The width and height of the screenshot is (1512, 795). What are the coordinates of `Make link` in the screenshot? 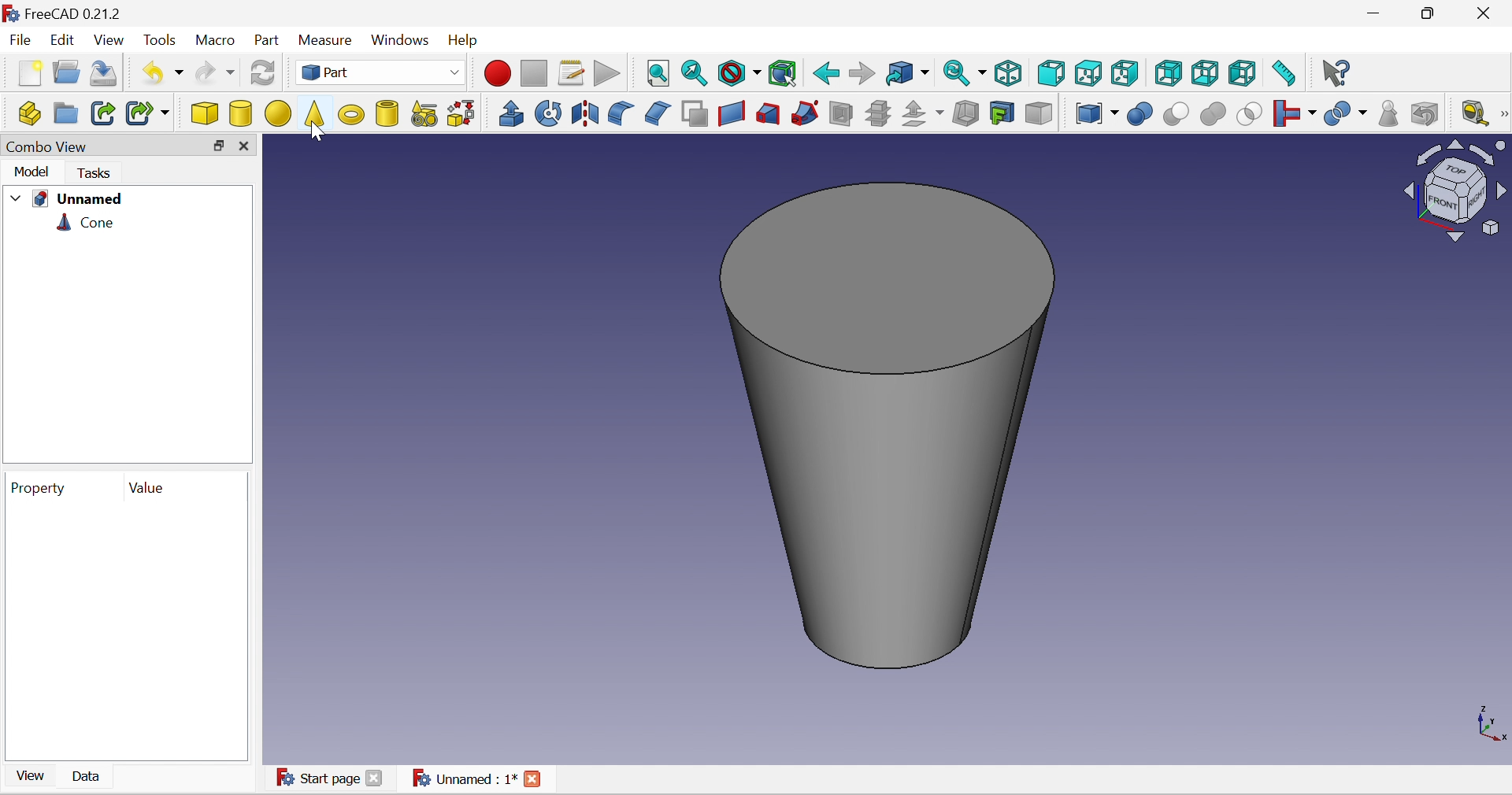 It's located at (102, 115).